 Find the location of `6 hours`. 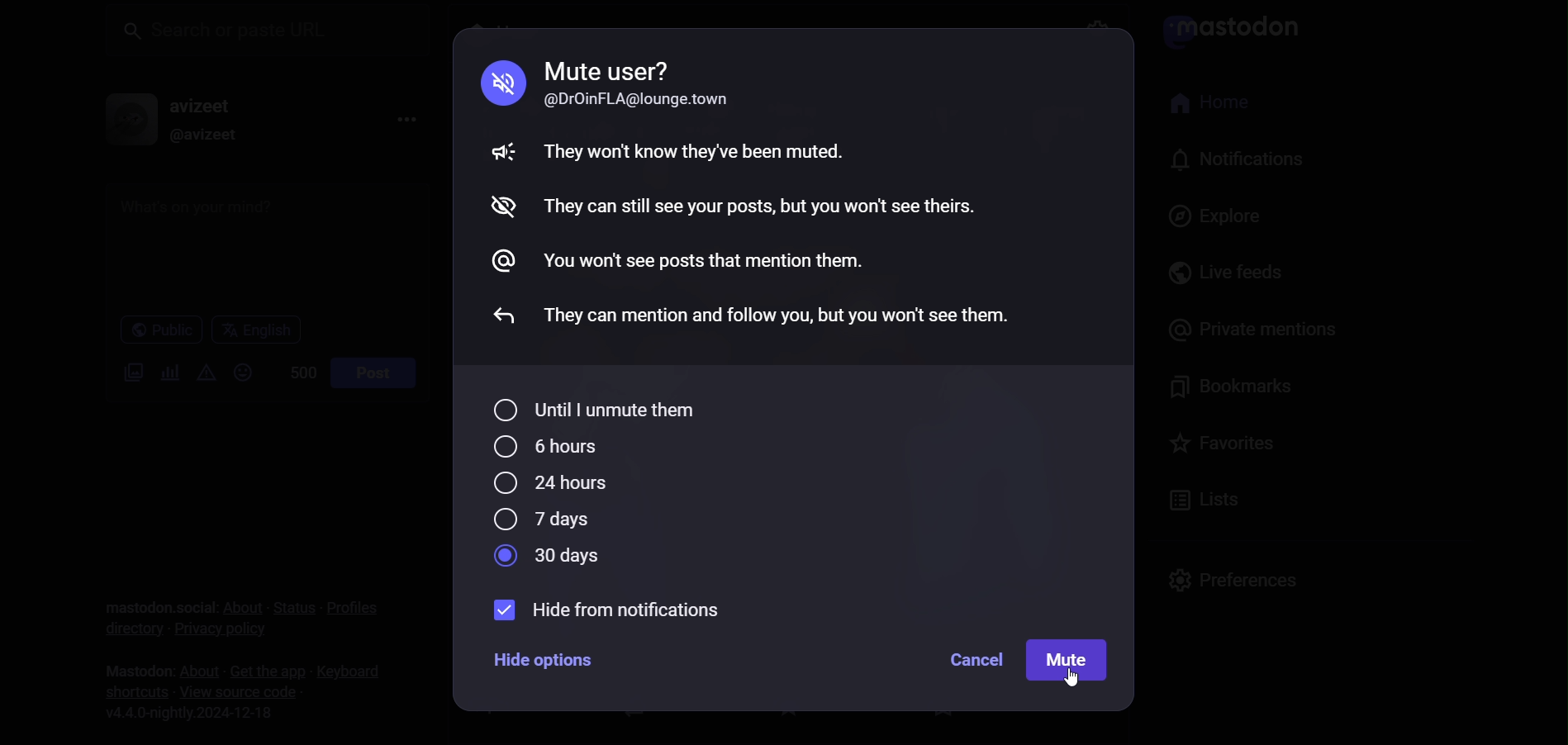

6 hours is located at coordinates (548, 447).